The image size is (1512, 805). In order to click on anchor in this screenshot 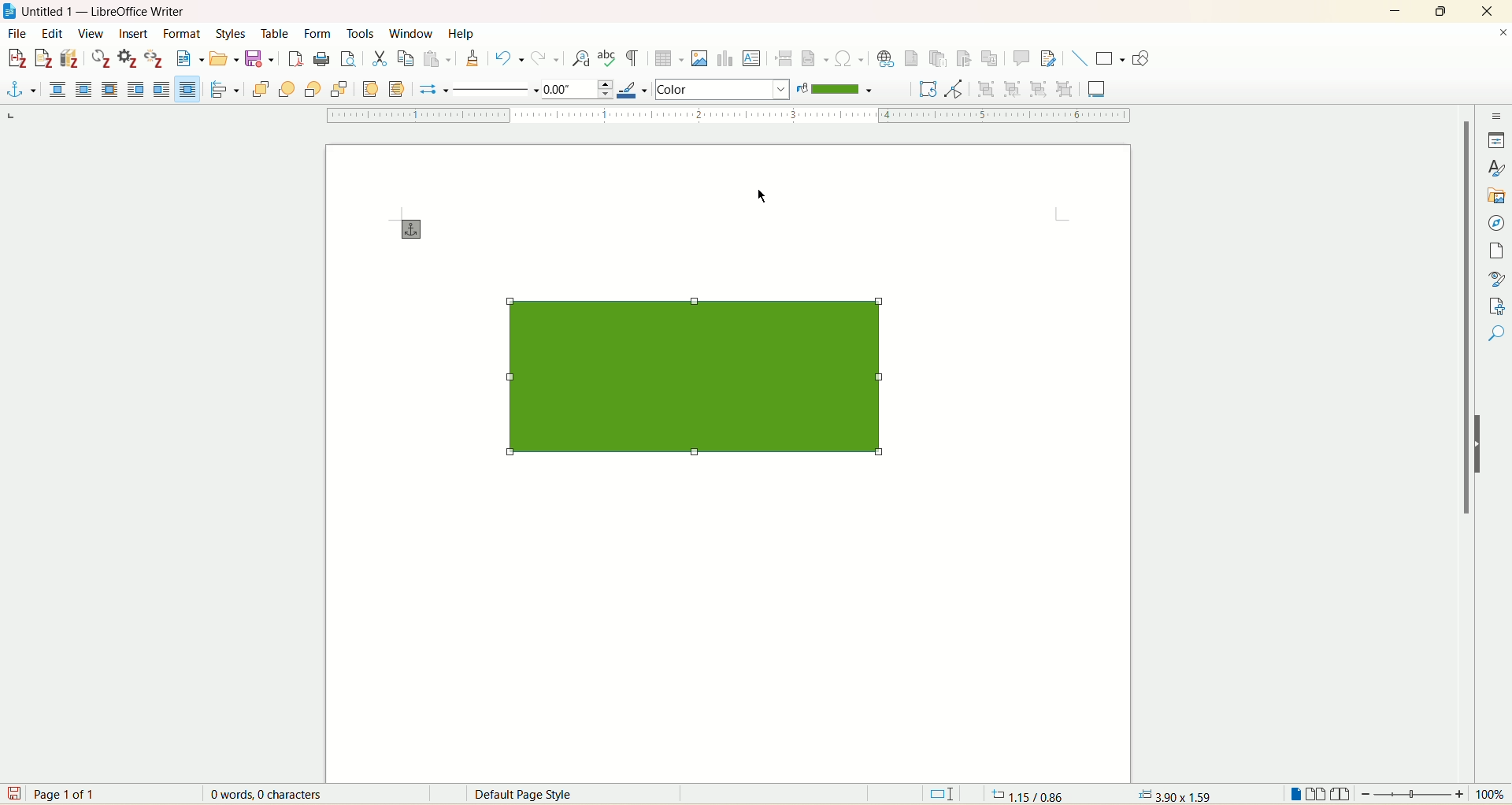, I will do `click(408, 229)`.